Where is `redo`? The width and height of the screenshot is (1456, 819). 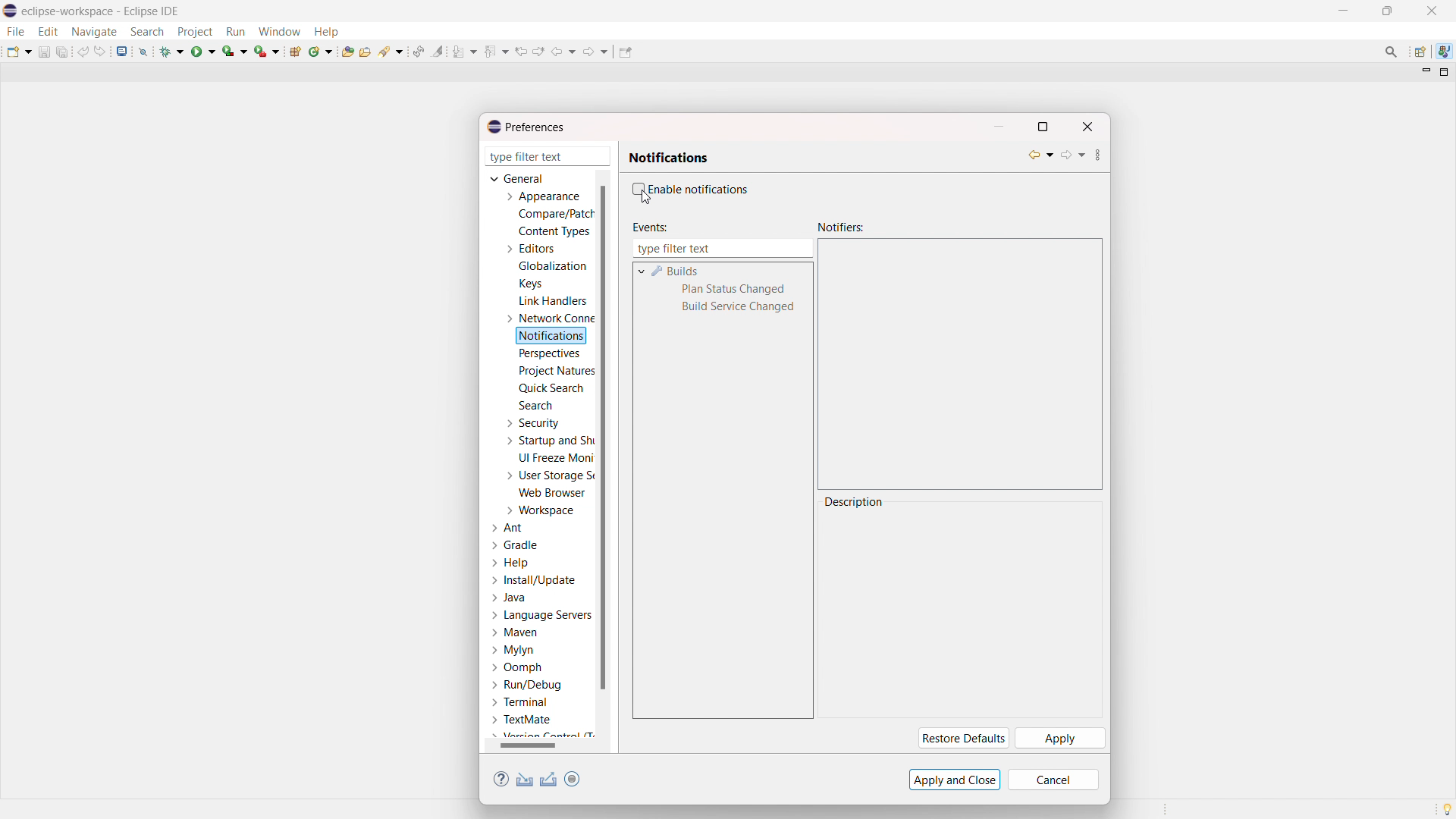
redo is located at coordinates (100, 51).